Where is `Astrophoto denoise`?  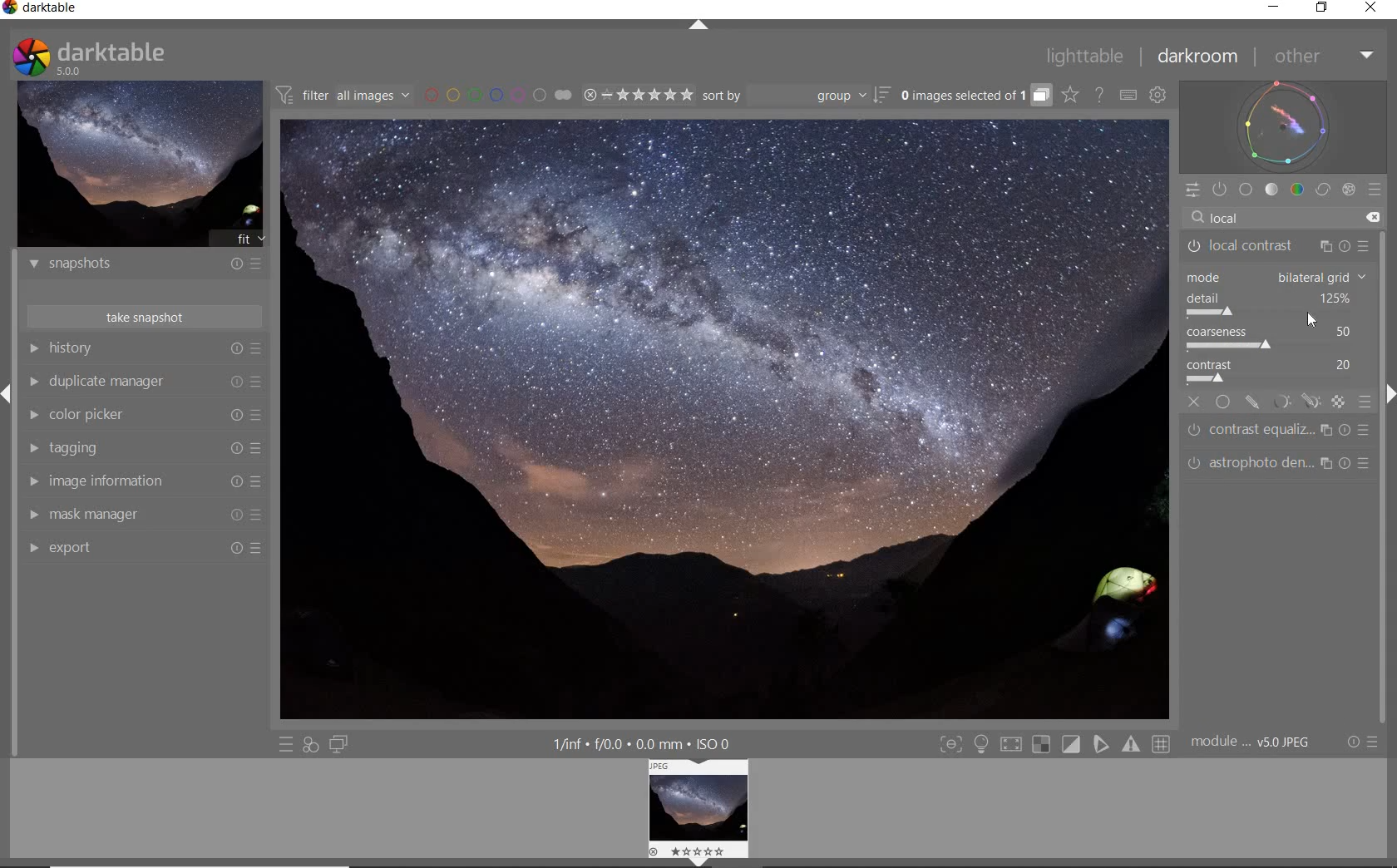
Astrophoto denoise is located at coordinates (1260, 463).